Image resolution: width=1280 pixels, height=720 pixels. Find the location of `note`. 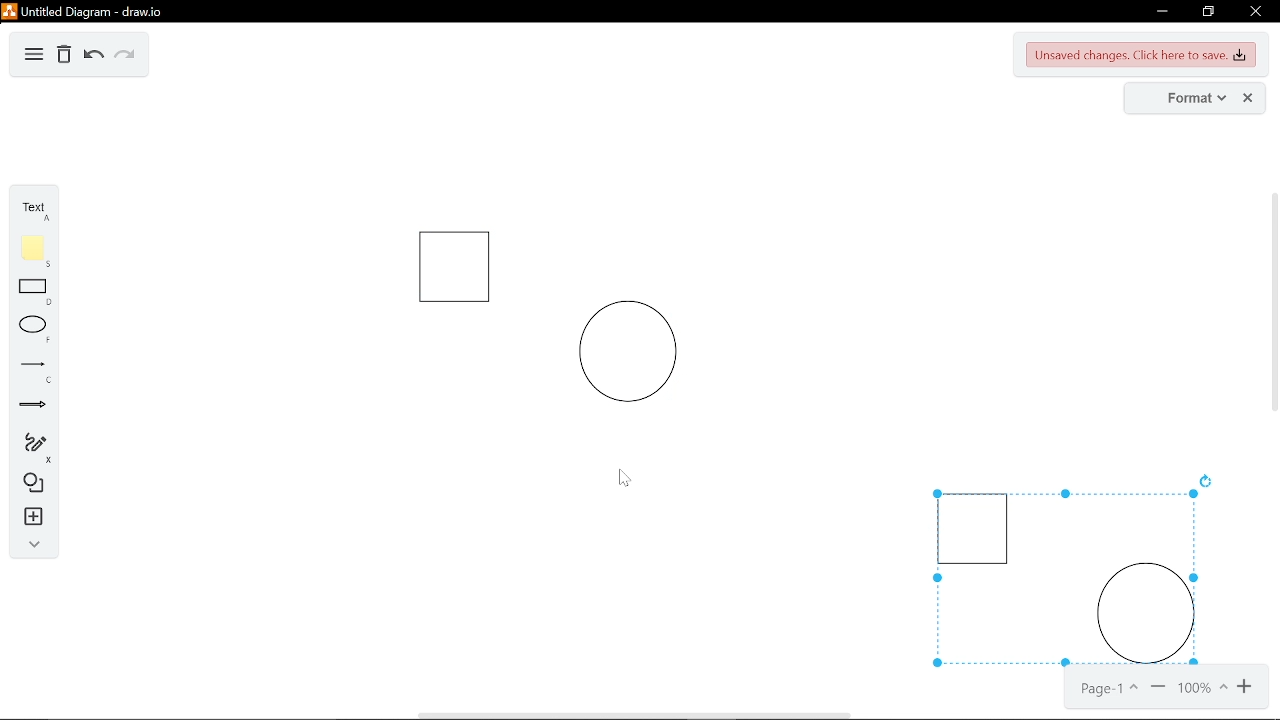

note is located at coordinates (33, 250).